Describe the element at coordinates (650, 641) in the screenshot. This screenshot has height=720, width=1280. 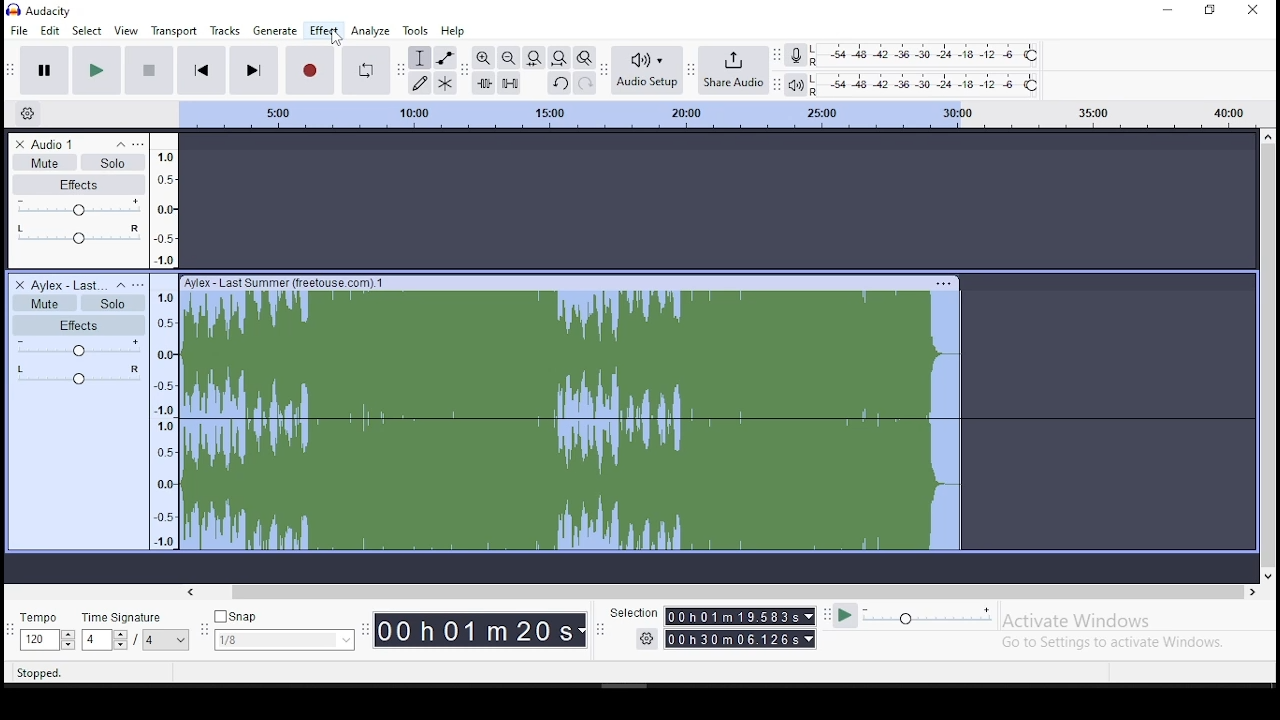
I see `settings` at that location.